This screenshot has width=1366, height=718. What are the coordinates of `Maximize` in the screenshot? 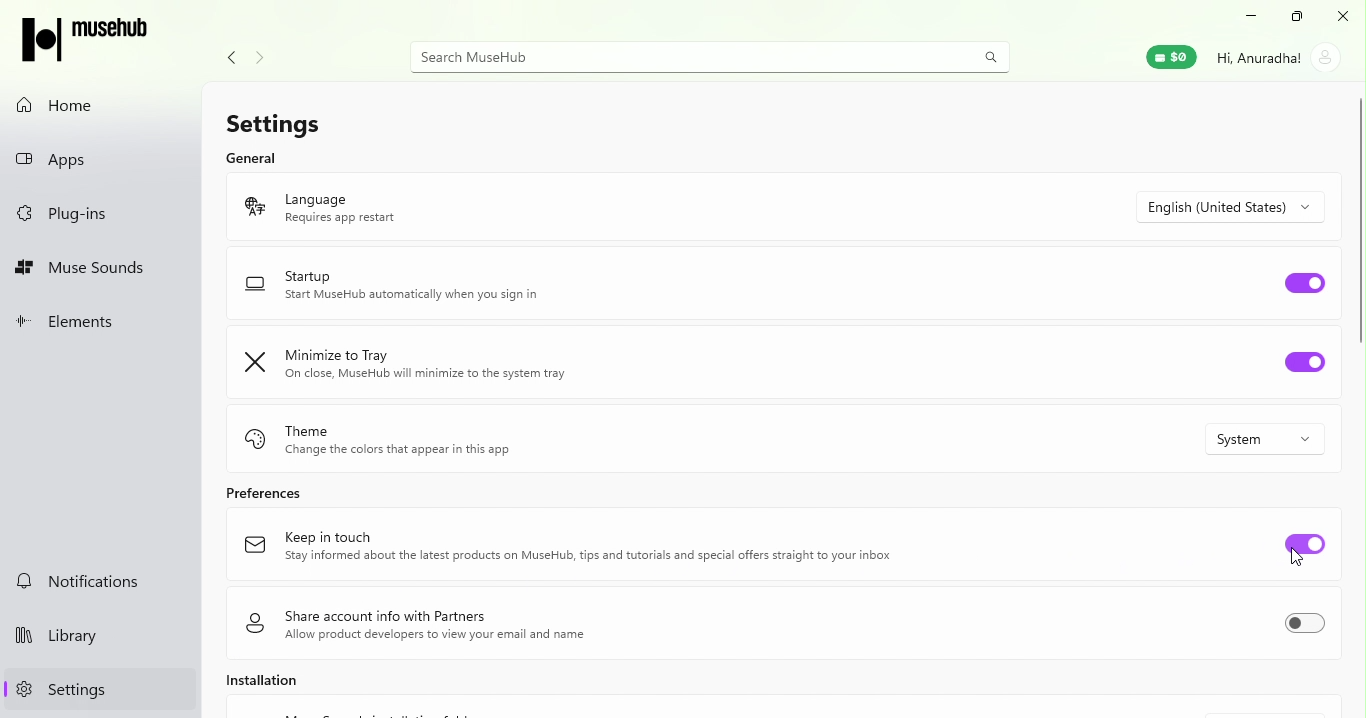 It's located at (1295, 17).